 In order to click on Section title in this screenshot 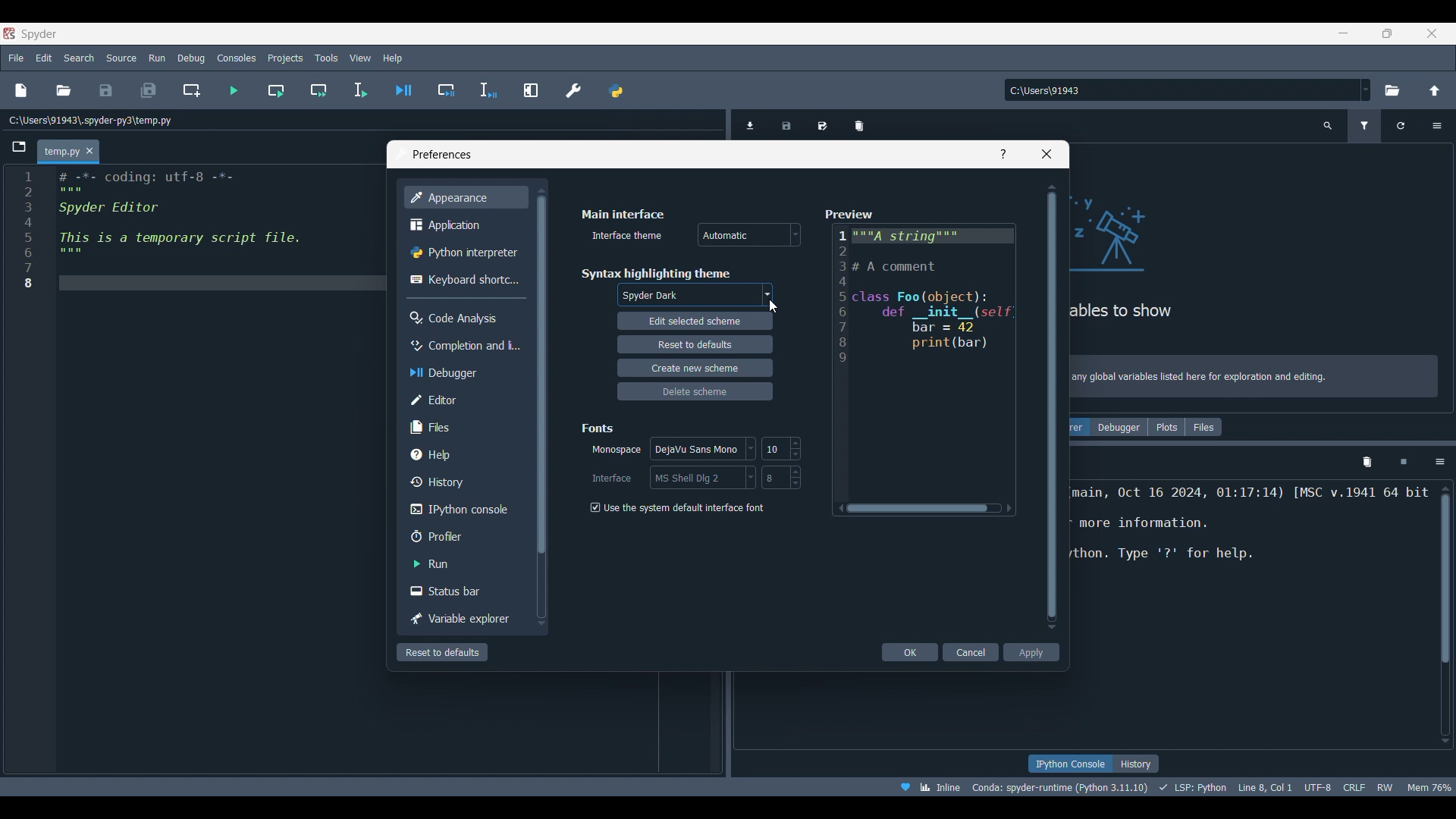, I will do `click(624, 214)`.